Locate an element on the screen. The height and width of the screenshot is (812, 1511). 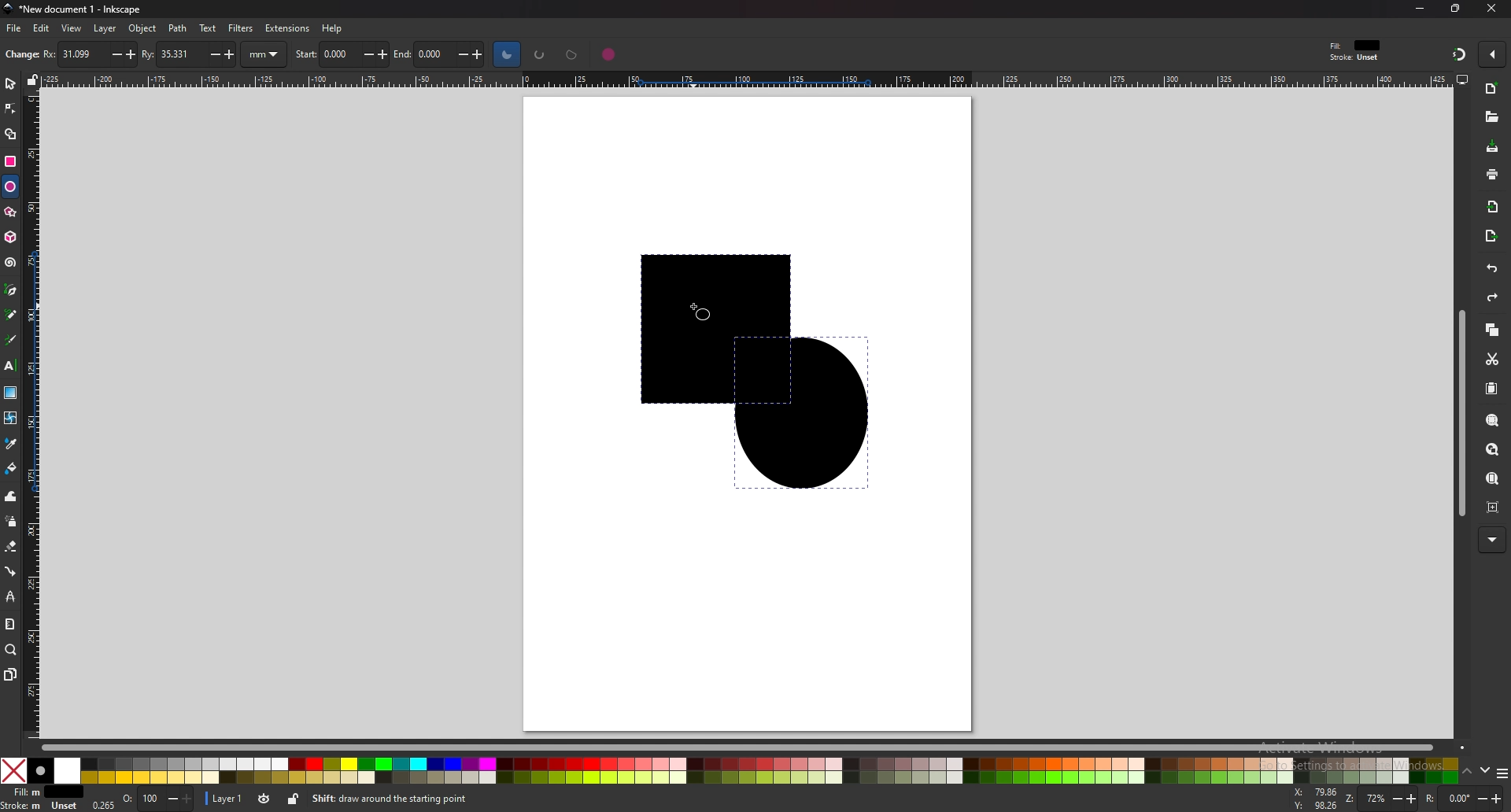
help is located at coordinates (331, 28).